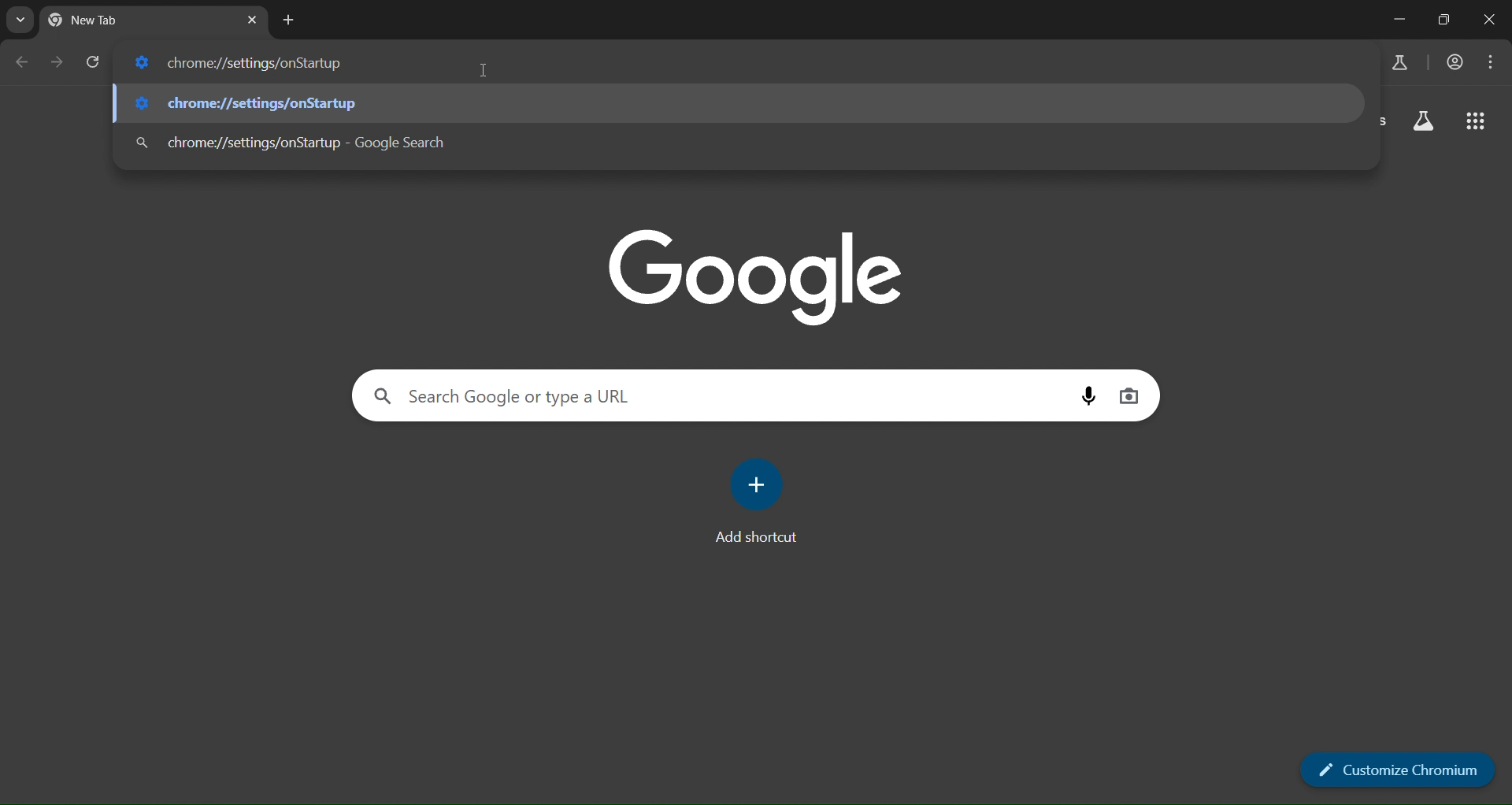 This screenshot has width=1512, height=805. Describe the element at coordinates (57, 63) in the screenshot. I see `go forward one page` at that location.